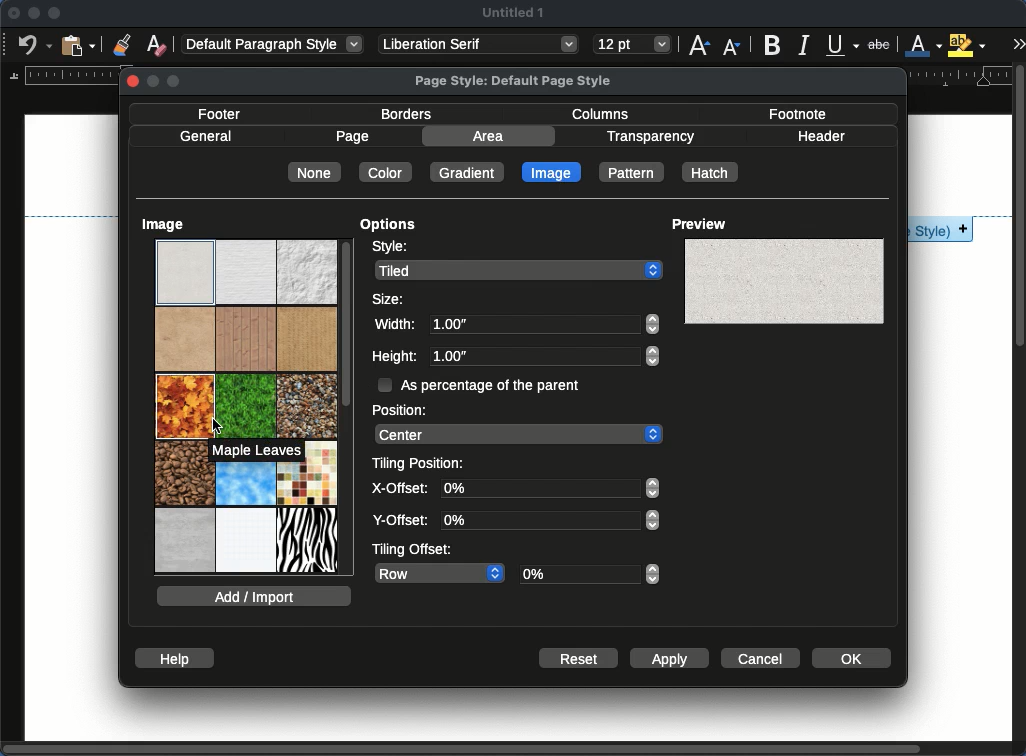 This screenshot has width=1026, height=756. What do you see at coordinates (174, 658) in the screenshot?
I see `help` at bounding box center [174, 658].